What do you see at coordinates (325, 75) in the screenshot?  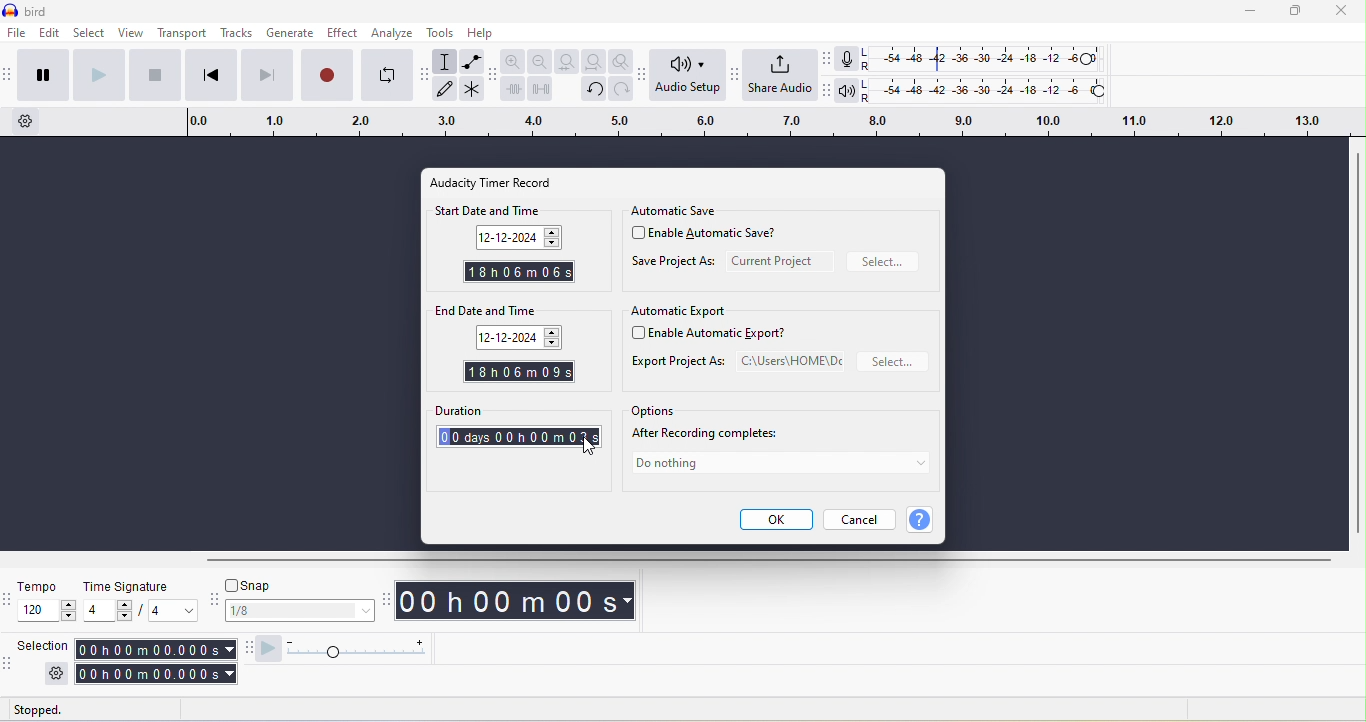 I see `record/record new track` at bounding box center [325, 75].